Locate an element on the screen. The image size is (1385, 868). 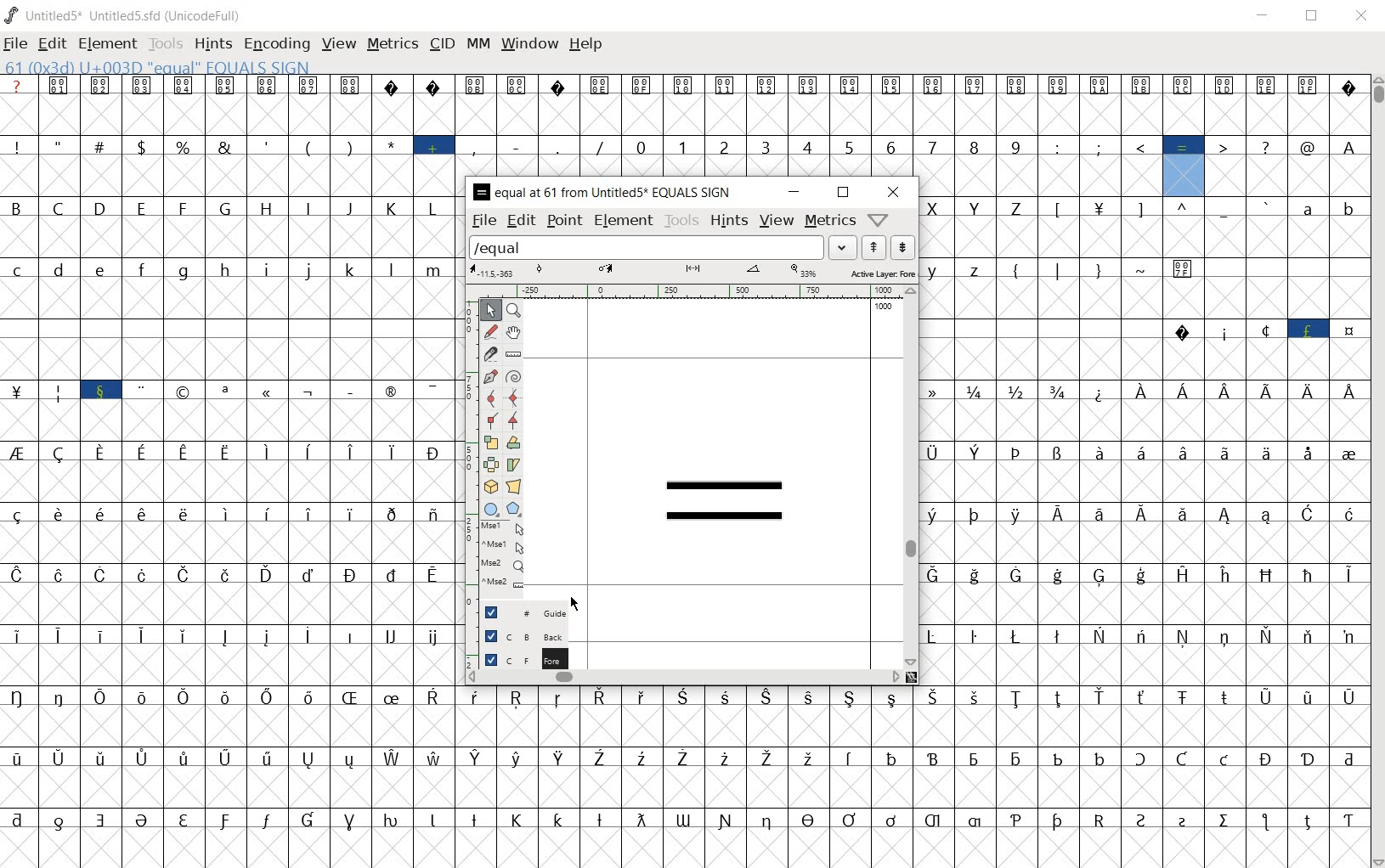
show the next word on the list is located at coordinates (873, 247).